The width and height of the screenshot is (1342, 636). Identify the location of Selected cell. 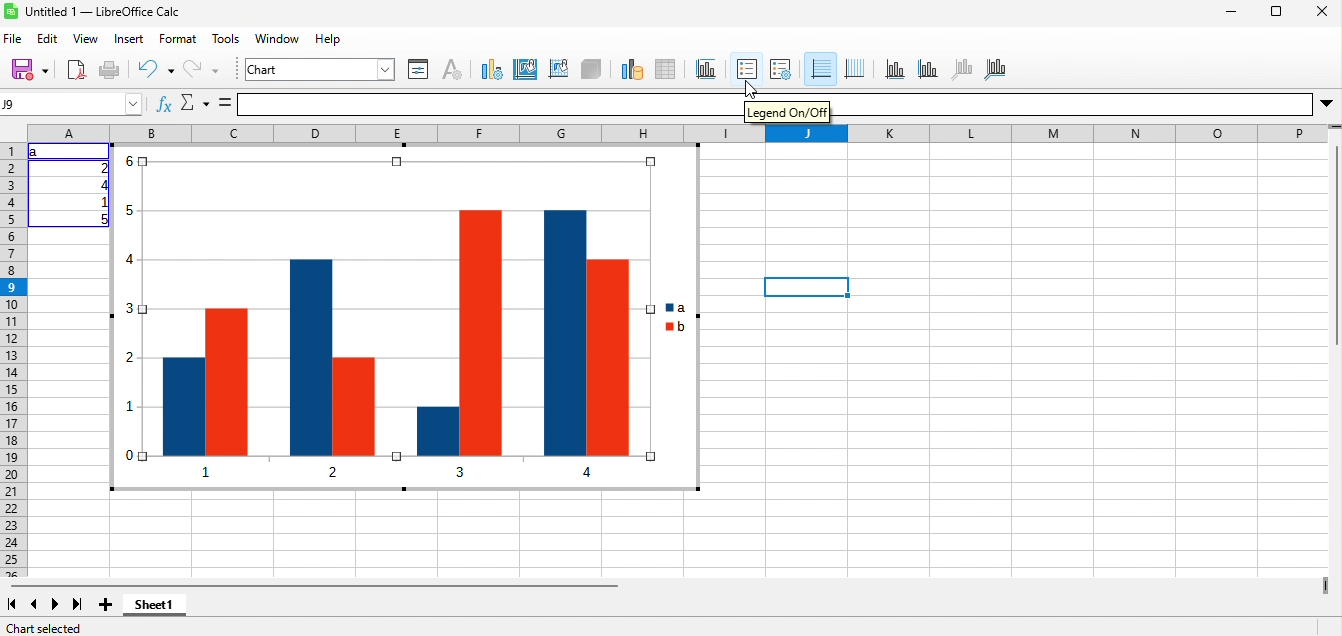
(807, 287).